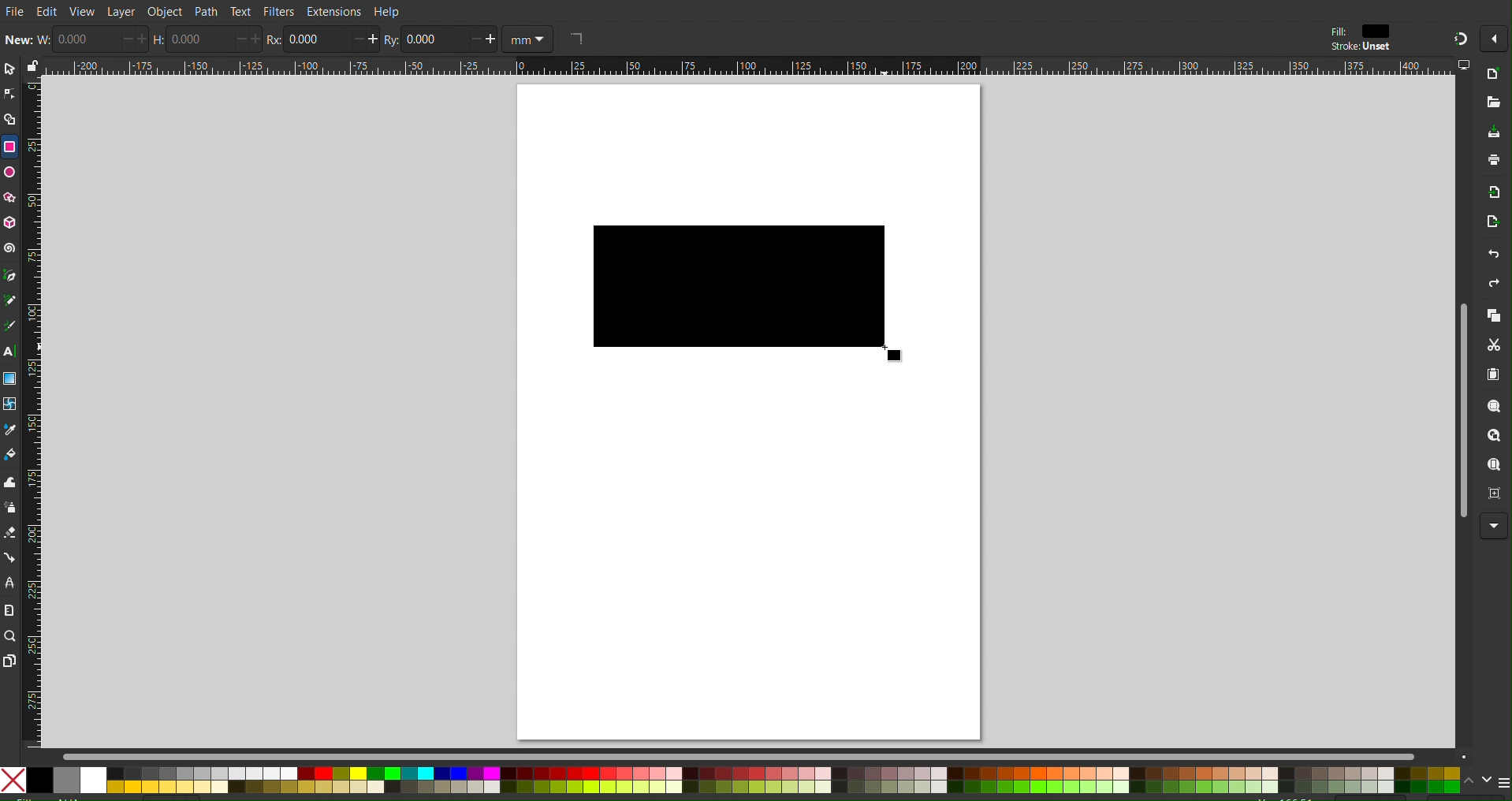  I want to click on Open, so click(1492, 103).